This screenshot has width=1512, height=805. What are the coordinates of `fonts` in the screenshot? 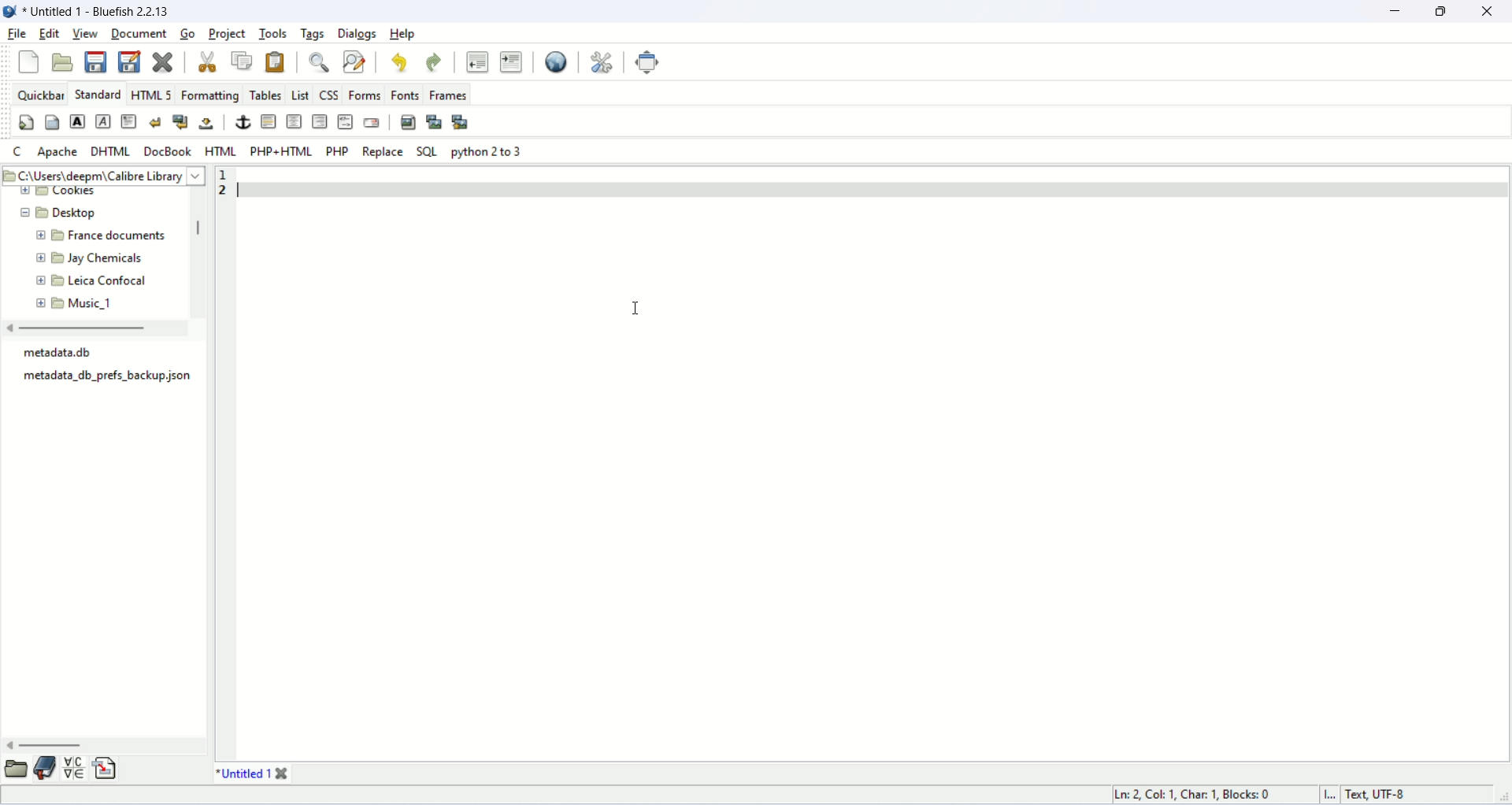 It's located at (406, 94).